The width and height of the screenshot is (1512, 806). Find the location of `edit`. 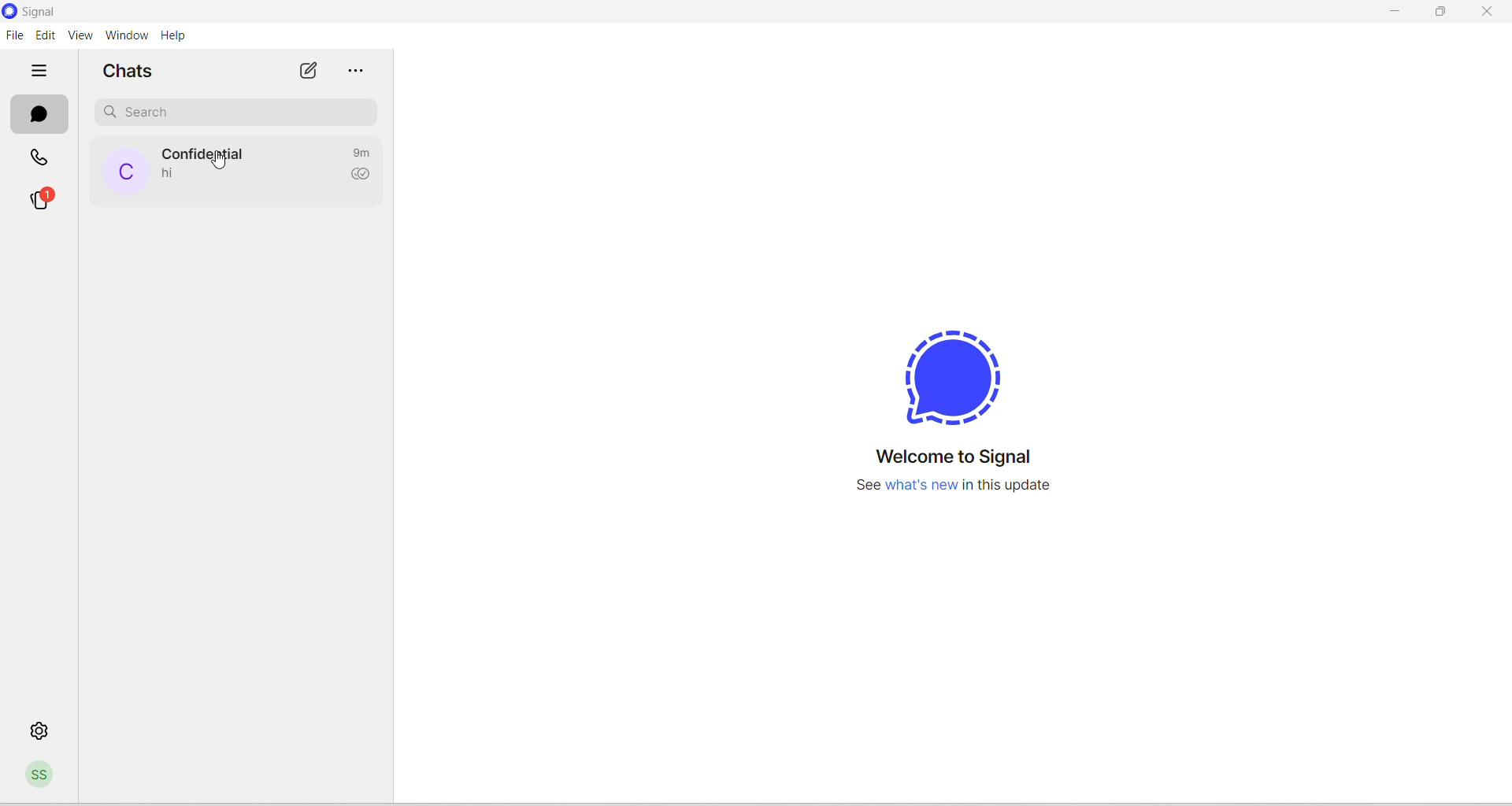

edit is located at coordinates (46, 35).